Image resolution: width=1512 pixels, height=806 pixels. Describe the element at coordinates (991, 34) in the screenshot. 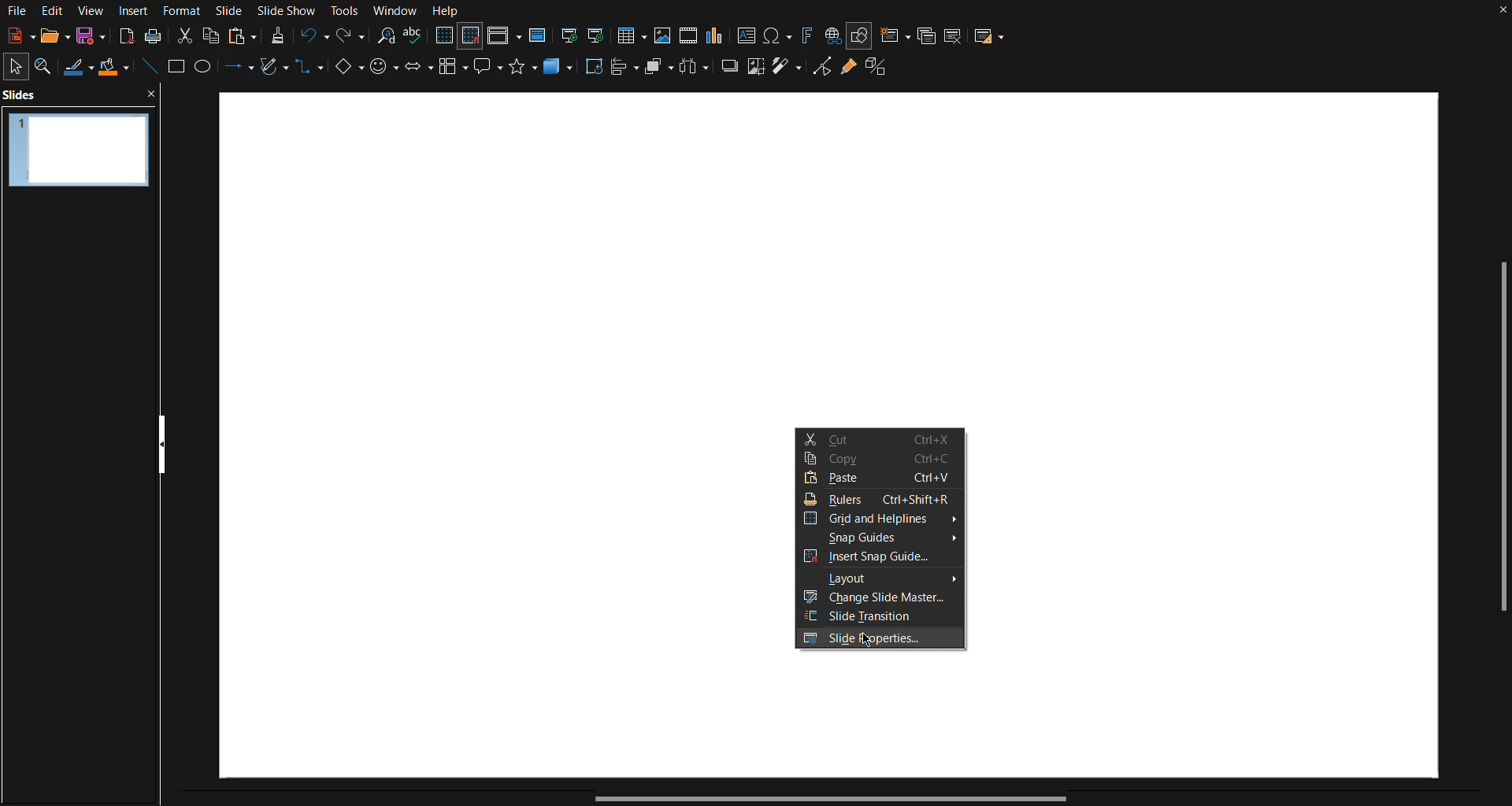

I see `Slide Layout` at that location.